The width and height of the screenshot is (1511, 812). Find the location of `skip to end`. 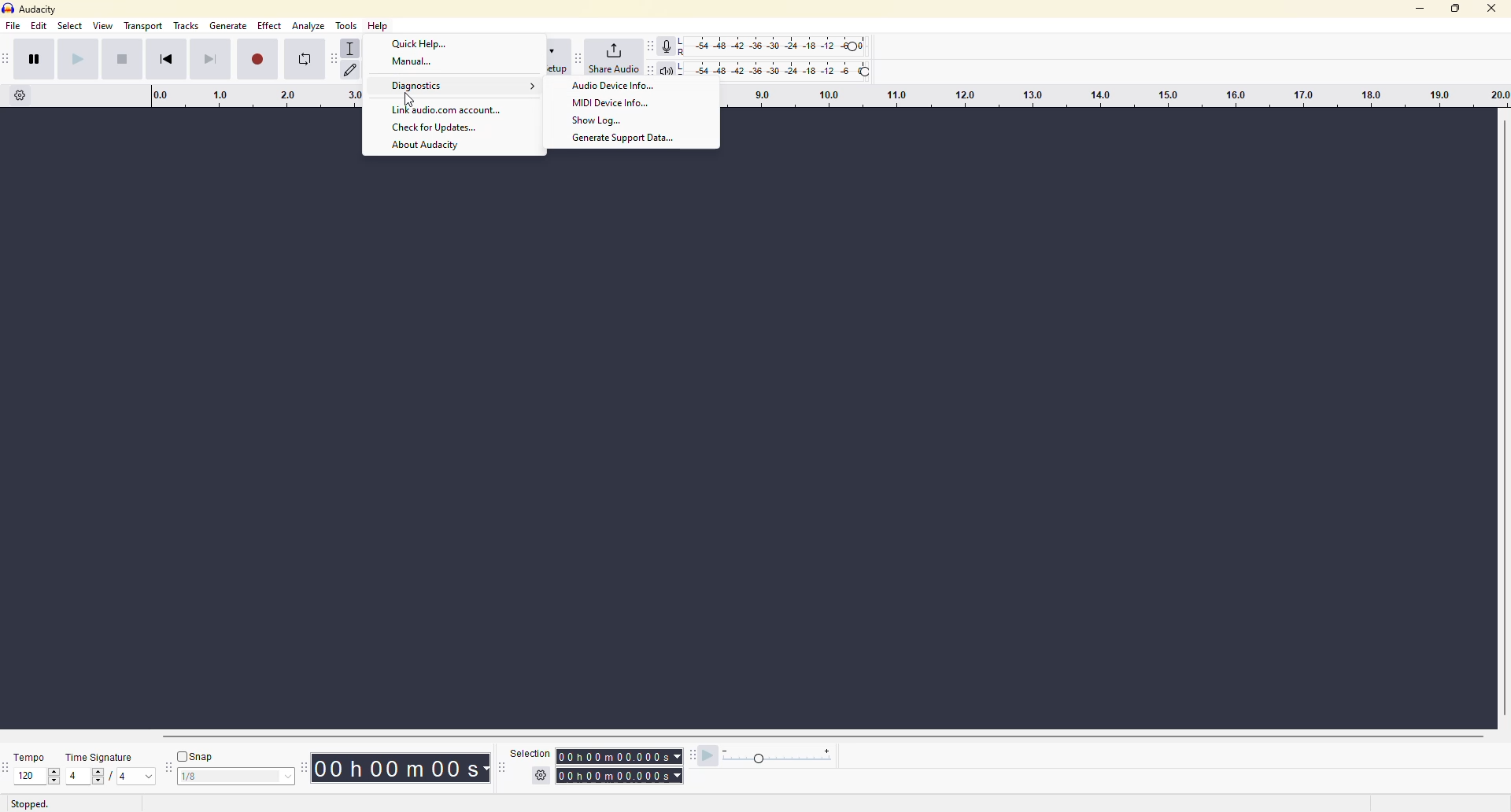

skip to end is located at coordinates (210, 58).